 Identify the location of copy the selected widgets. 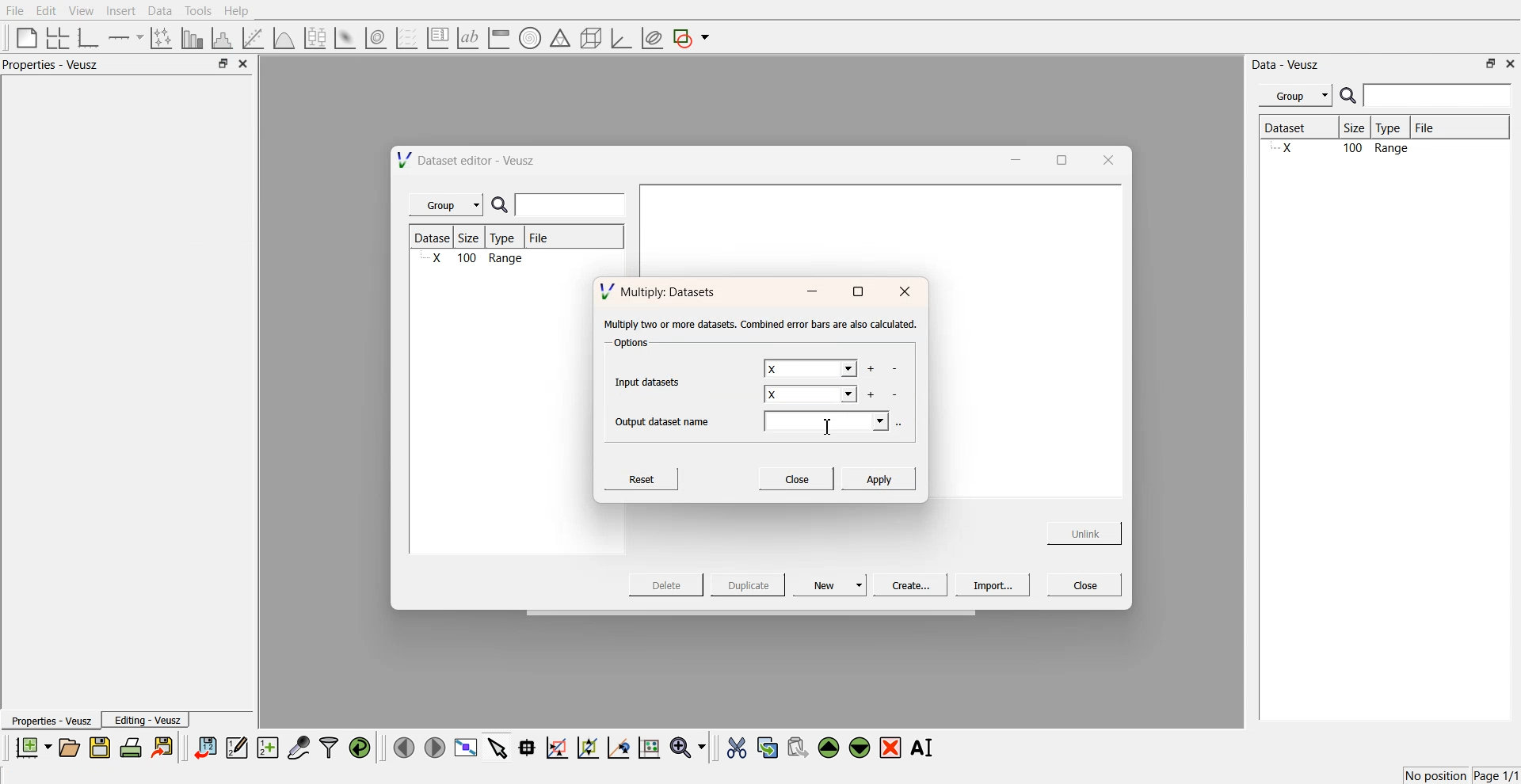
(768, 747).